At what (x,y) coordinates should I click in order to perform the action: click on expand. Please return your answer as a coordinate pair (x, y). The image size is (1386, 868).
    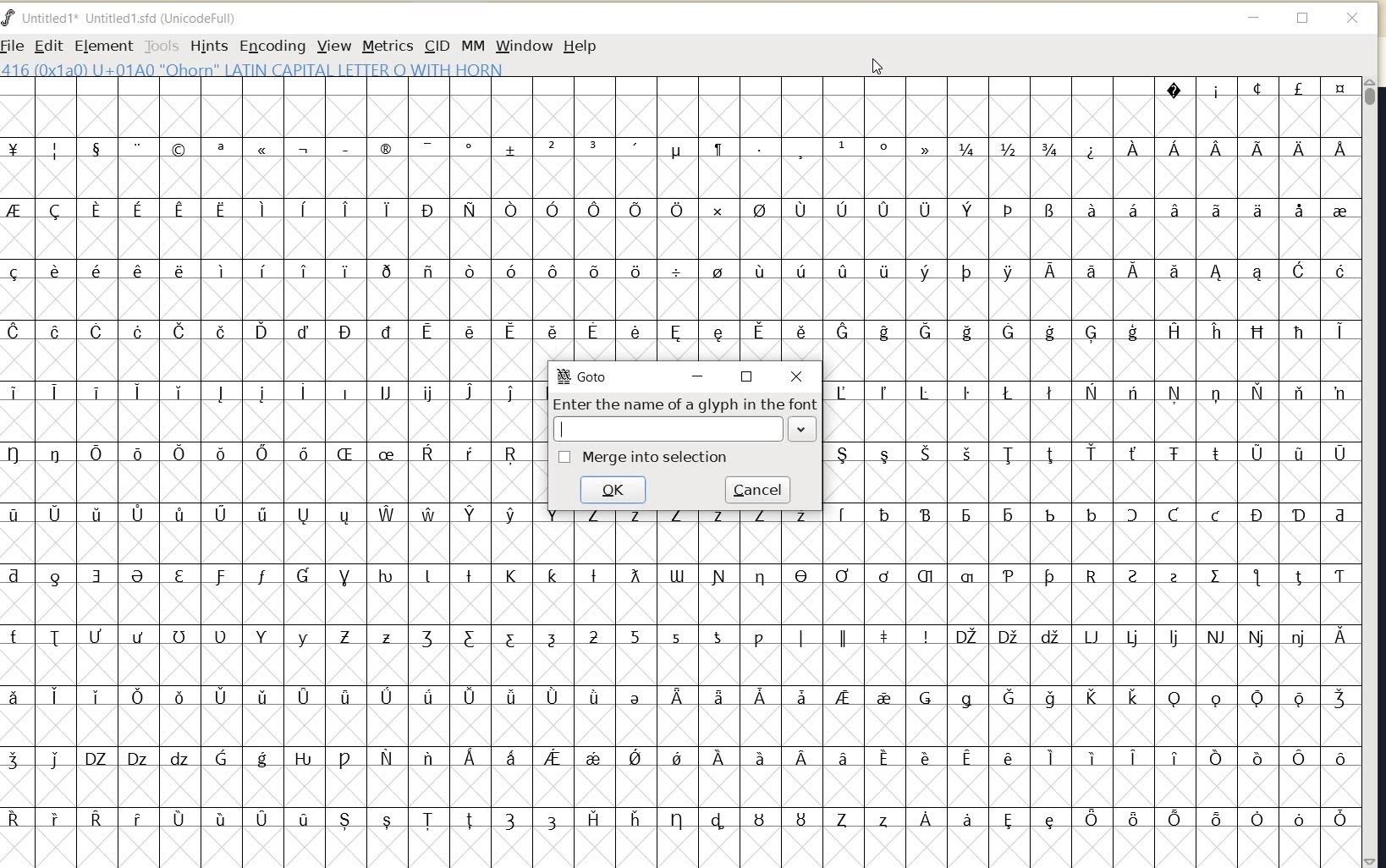
    Looking at the image, I should click on (804, 431).